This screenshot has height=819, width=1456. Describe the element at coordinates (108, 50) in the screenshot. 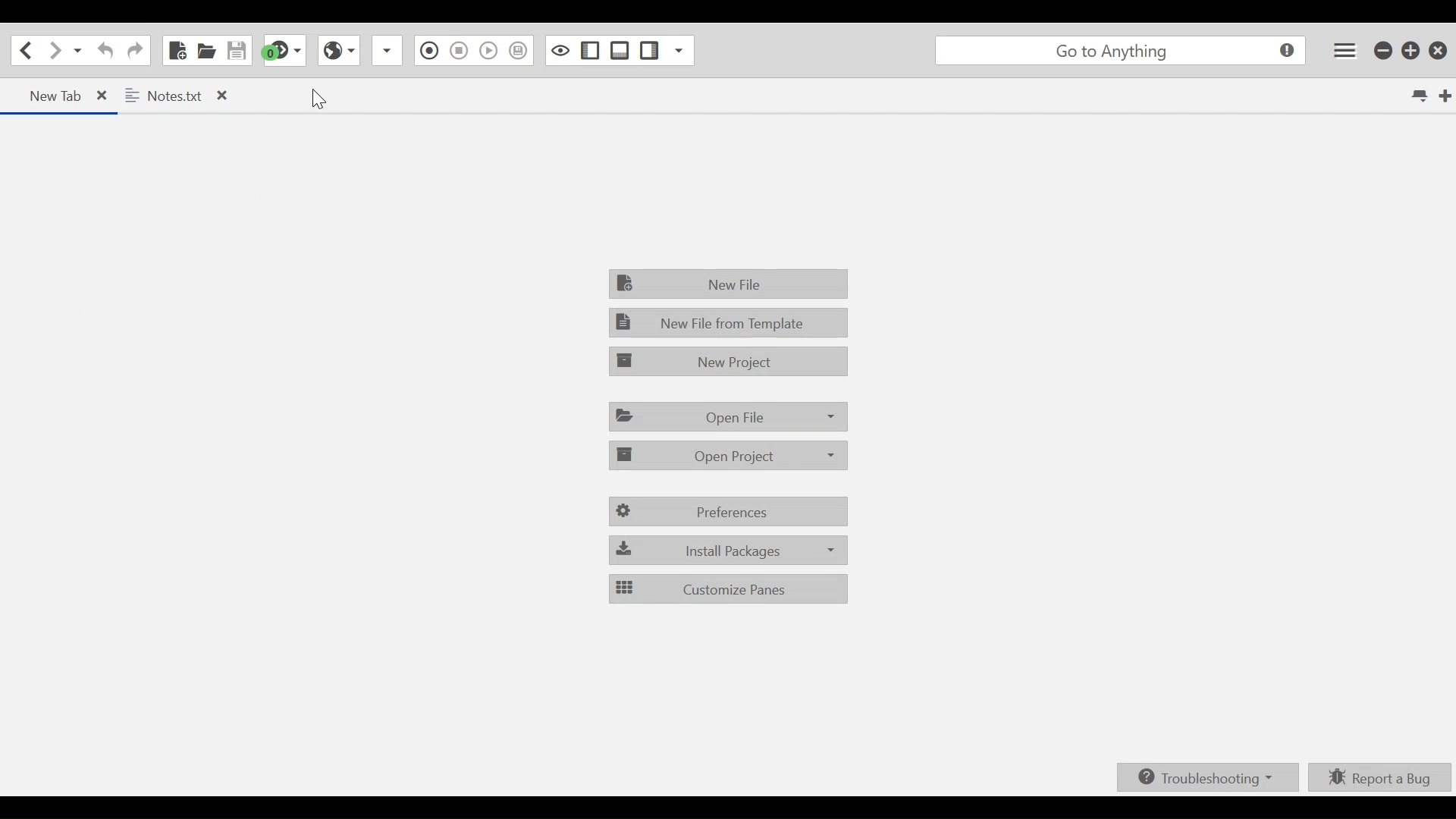

I see `Undo last Action` at that location.